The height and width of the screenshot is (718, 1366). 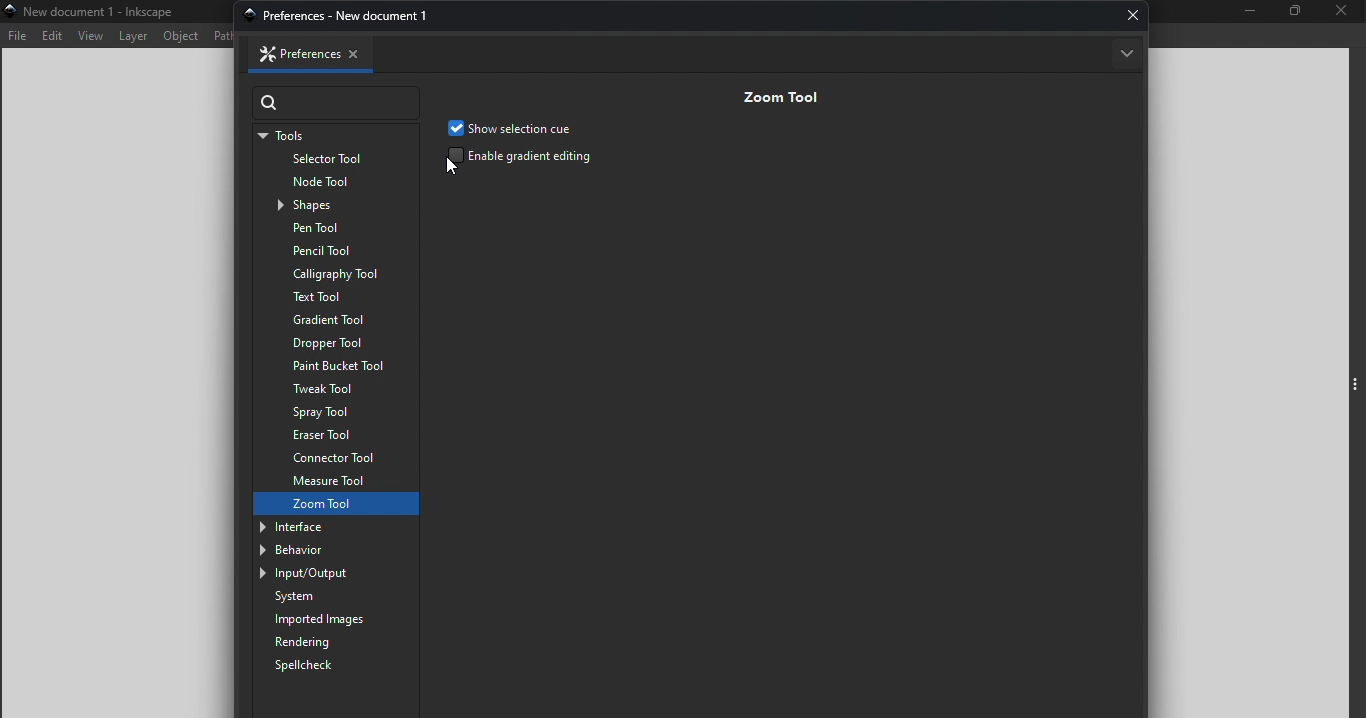 What do you see at coordinates (347, 16) in the screenshot?
I see `preferences` at bounding box center [347, 16].